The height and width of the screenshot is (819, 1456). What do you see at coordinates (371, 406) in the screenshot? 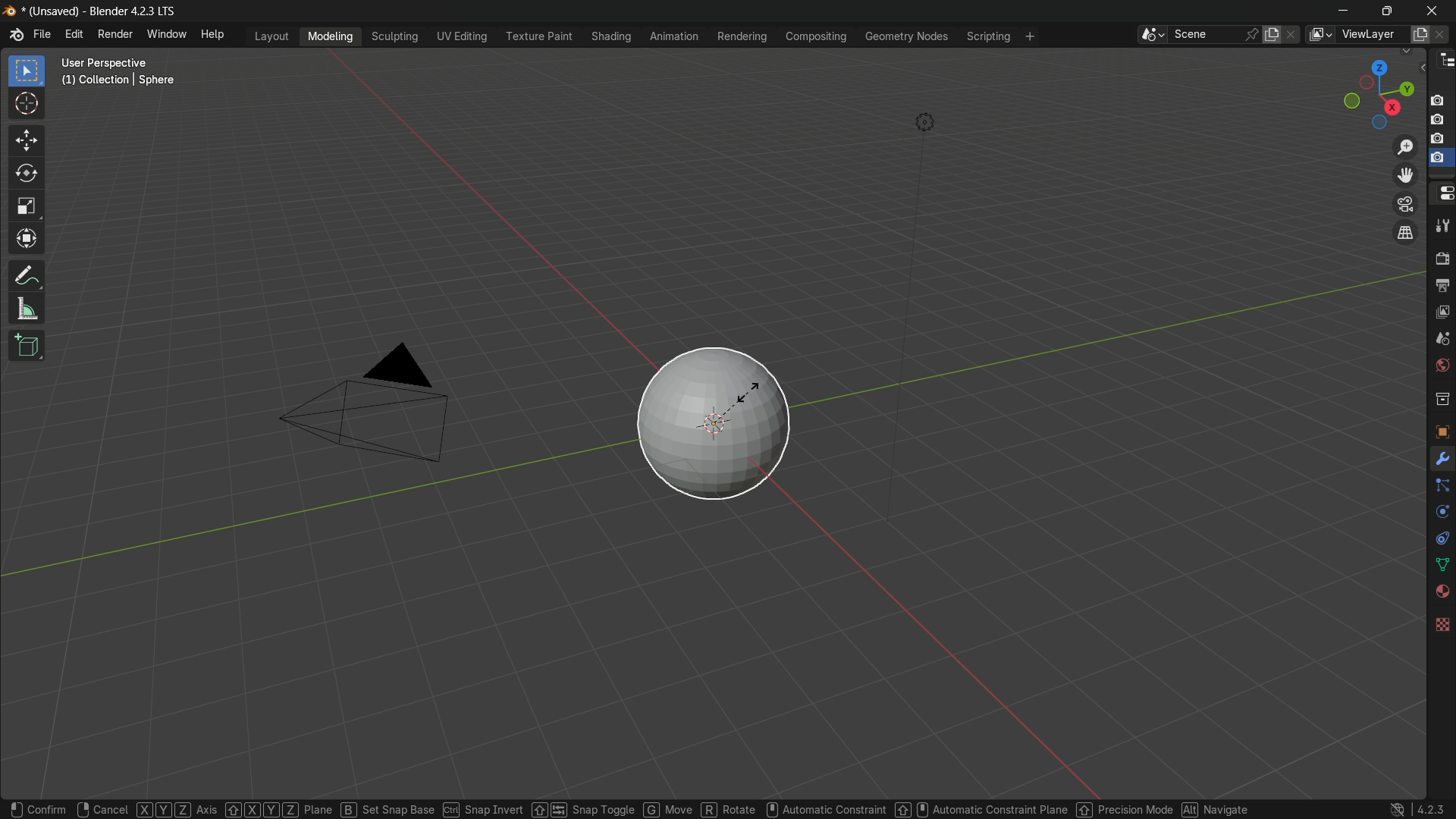
I see `camera` at bounding box center [371, 406].